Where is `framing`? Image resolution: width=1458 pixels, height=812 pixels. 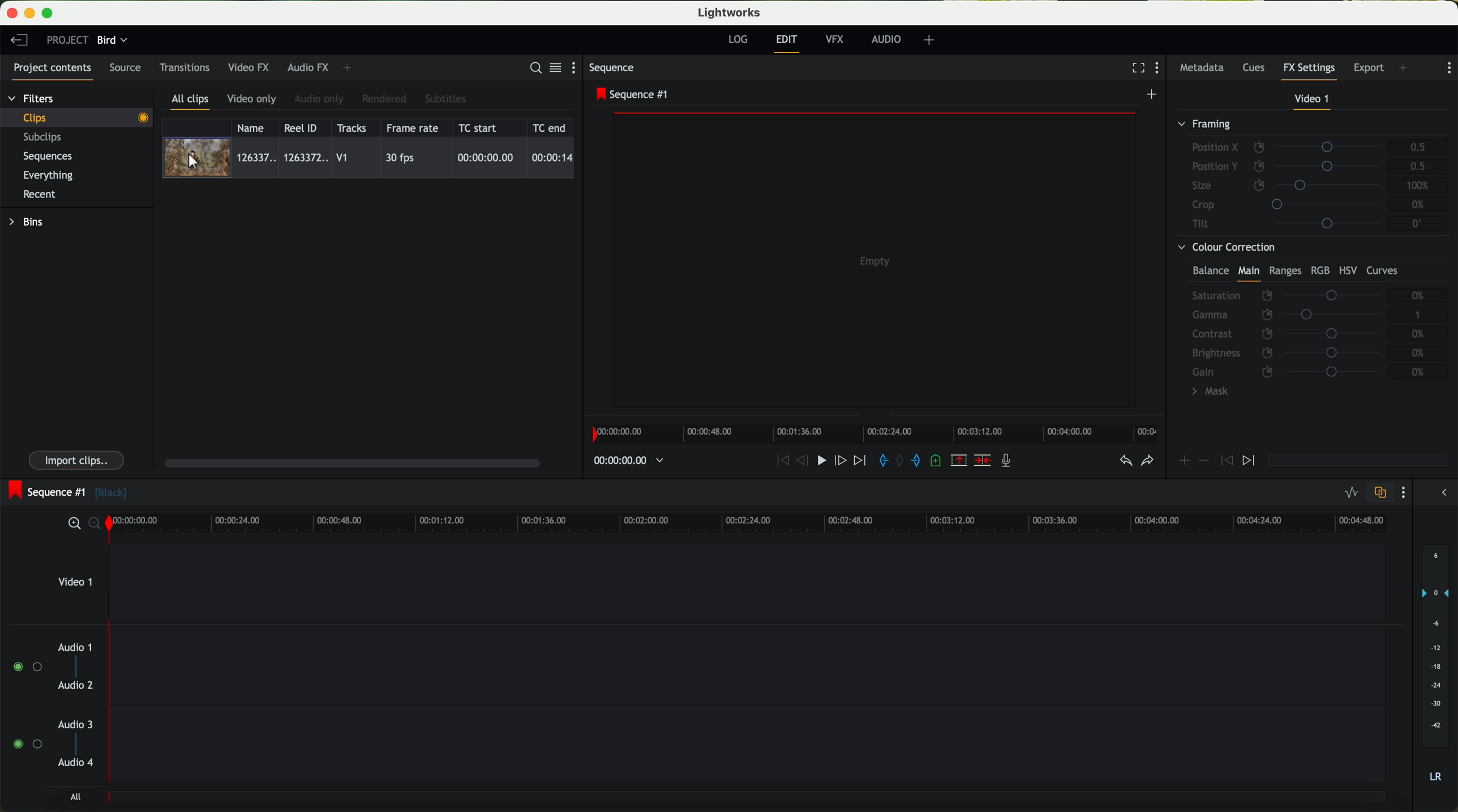
framing is located at coordinates (1205, 126).